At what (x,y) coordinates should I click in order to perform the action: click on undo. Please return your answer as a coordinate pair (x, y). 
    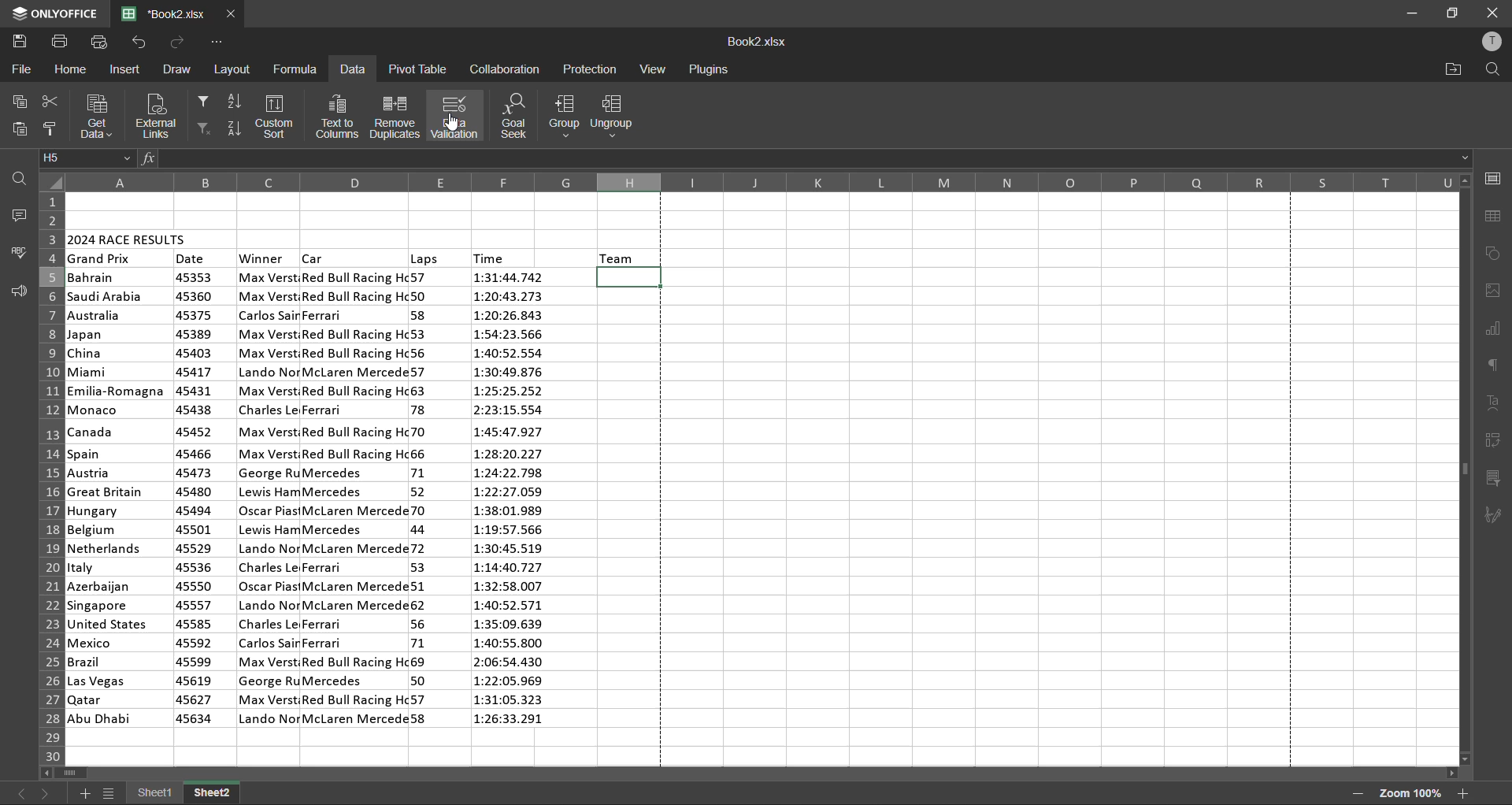
    Looking at the image, I should click on (138, 42).